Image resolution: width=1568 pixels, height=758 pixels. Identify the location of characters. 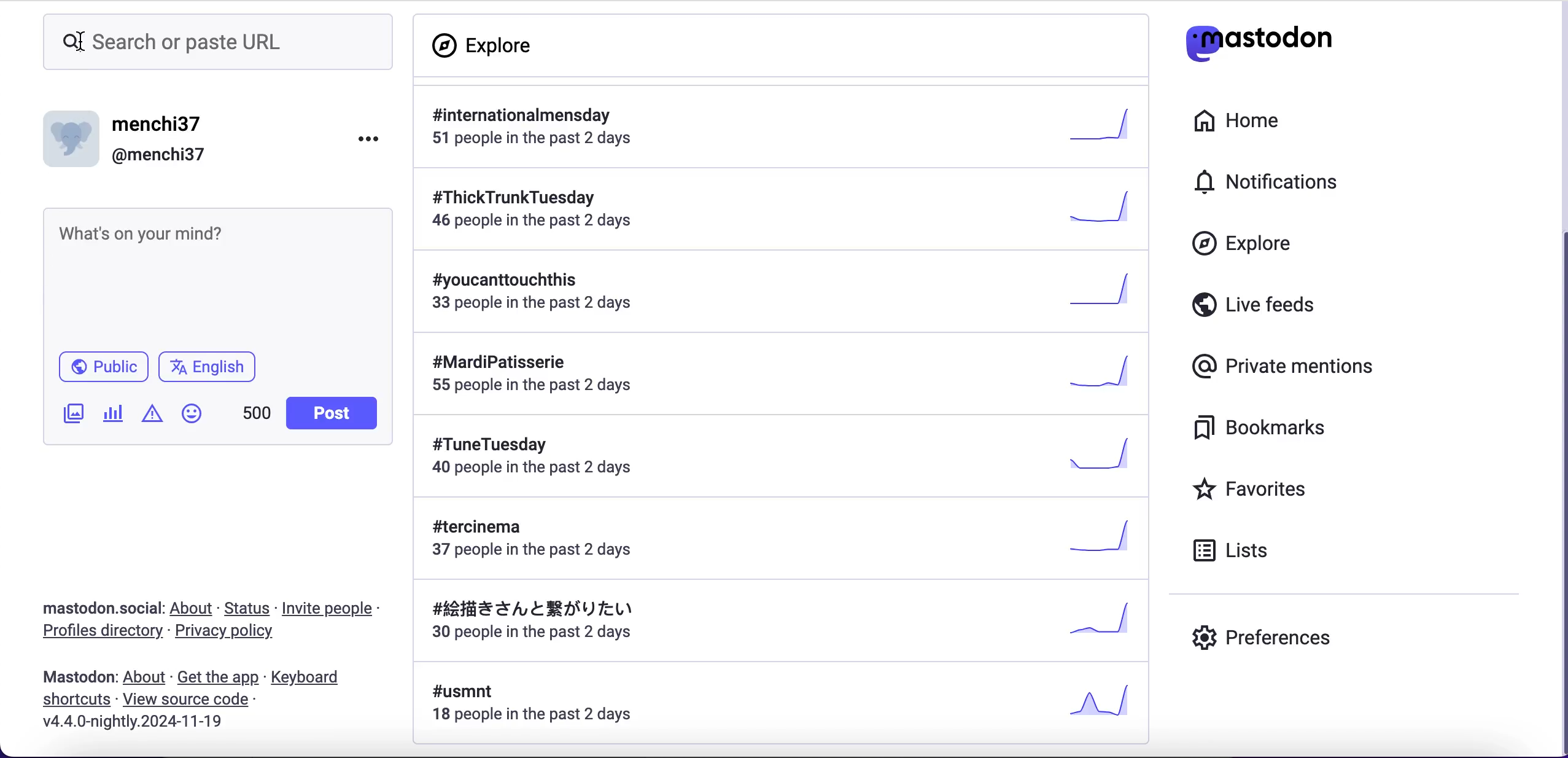
(257, 415).